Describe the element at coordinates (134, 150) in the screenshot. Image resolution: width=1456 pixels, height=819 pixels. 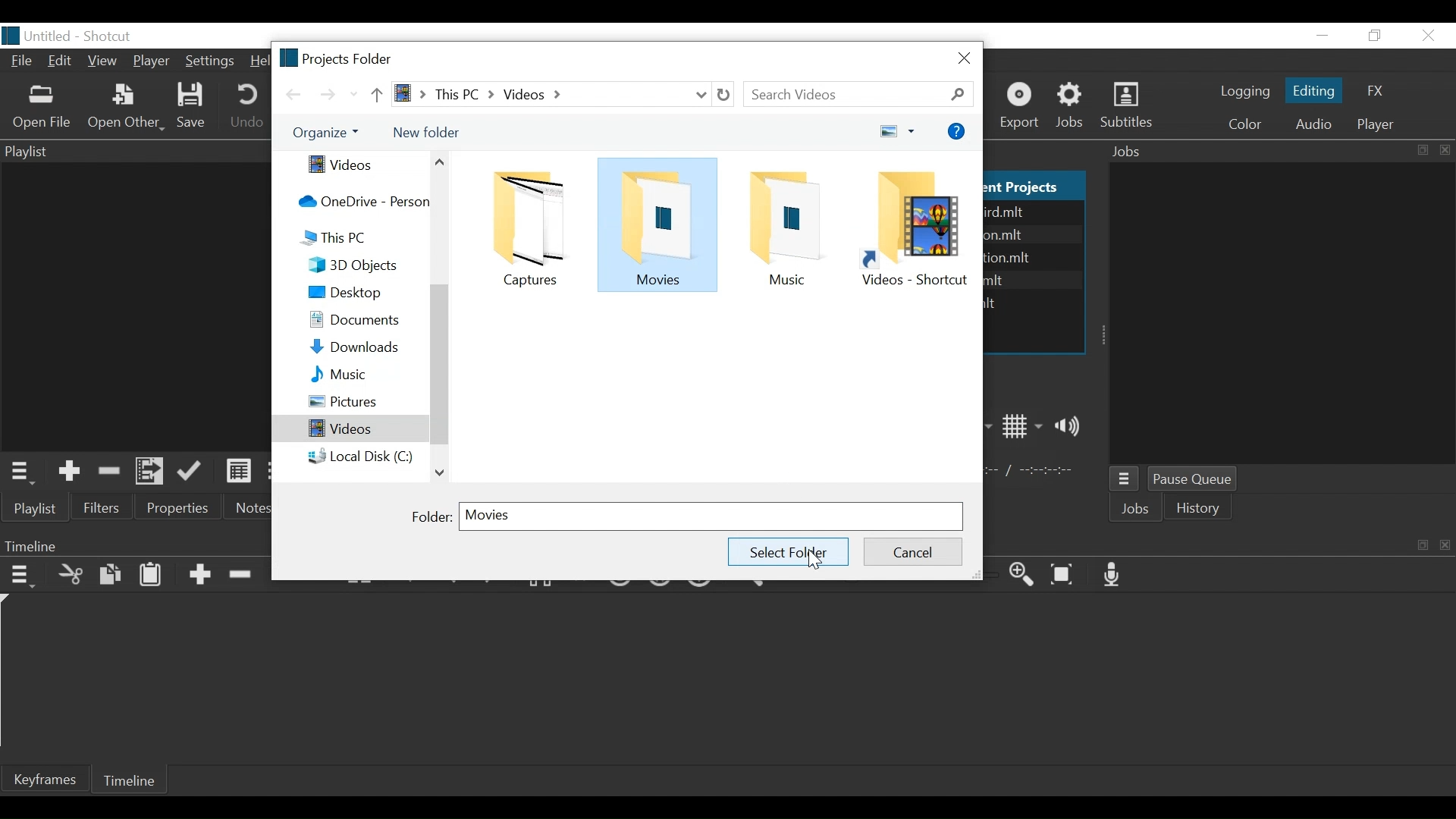
I see `Playlist Panel` at that location.